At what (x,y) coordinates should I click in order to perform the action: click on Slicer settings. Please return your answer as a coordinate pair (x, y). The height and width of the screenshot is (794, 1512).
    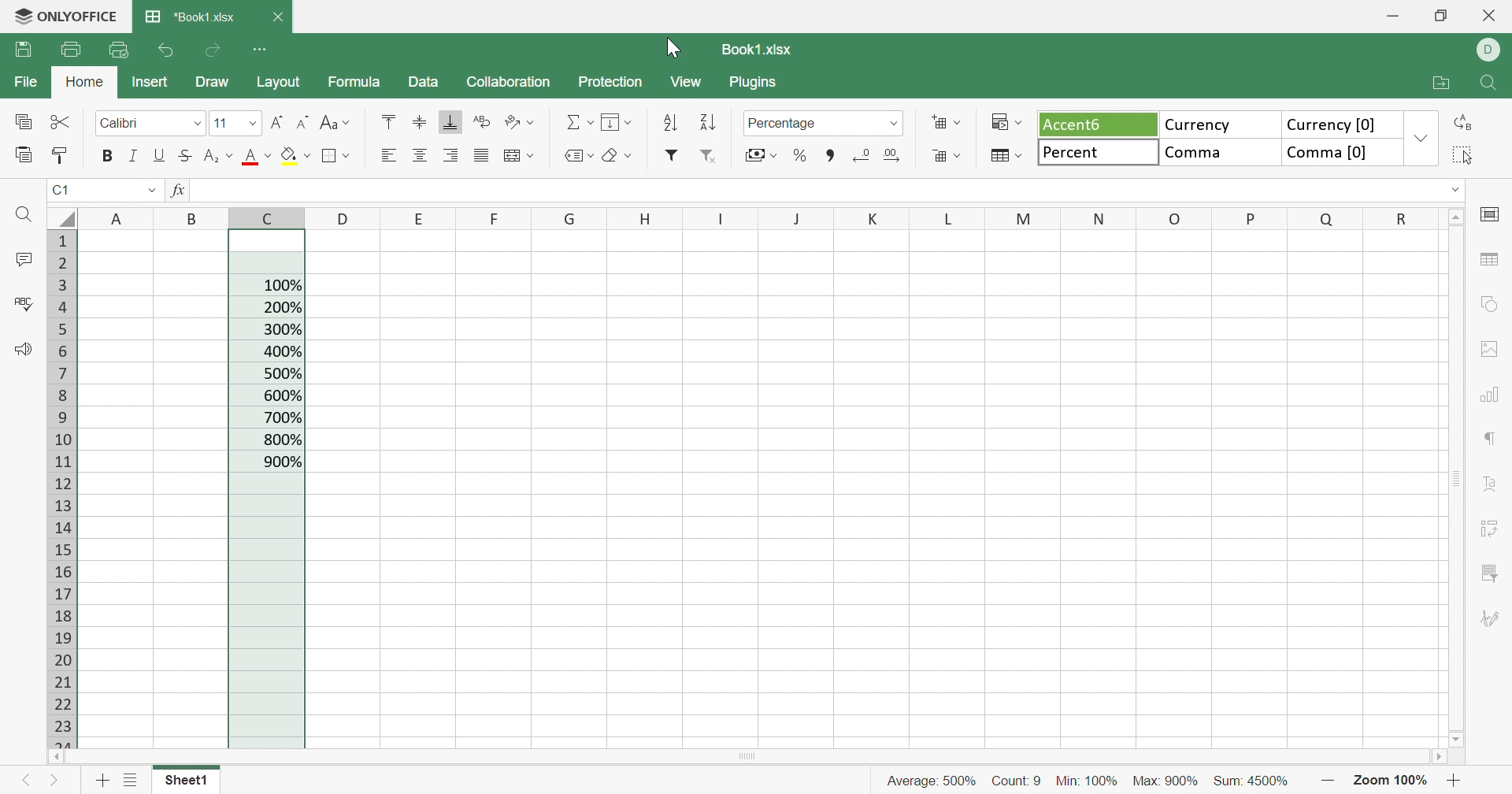
    Looking at the image, I should click on (1494, 570).